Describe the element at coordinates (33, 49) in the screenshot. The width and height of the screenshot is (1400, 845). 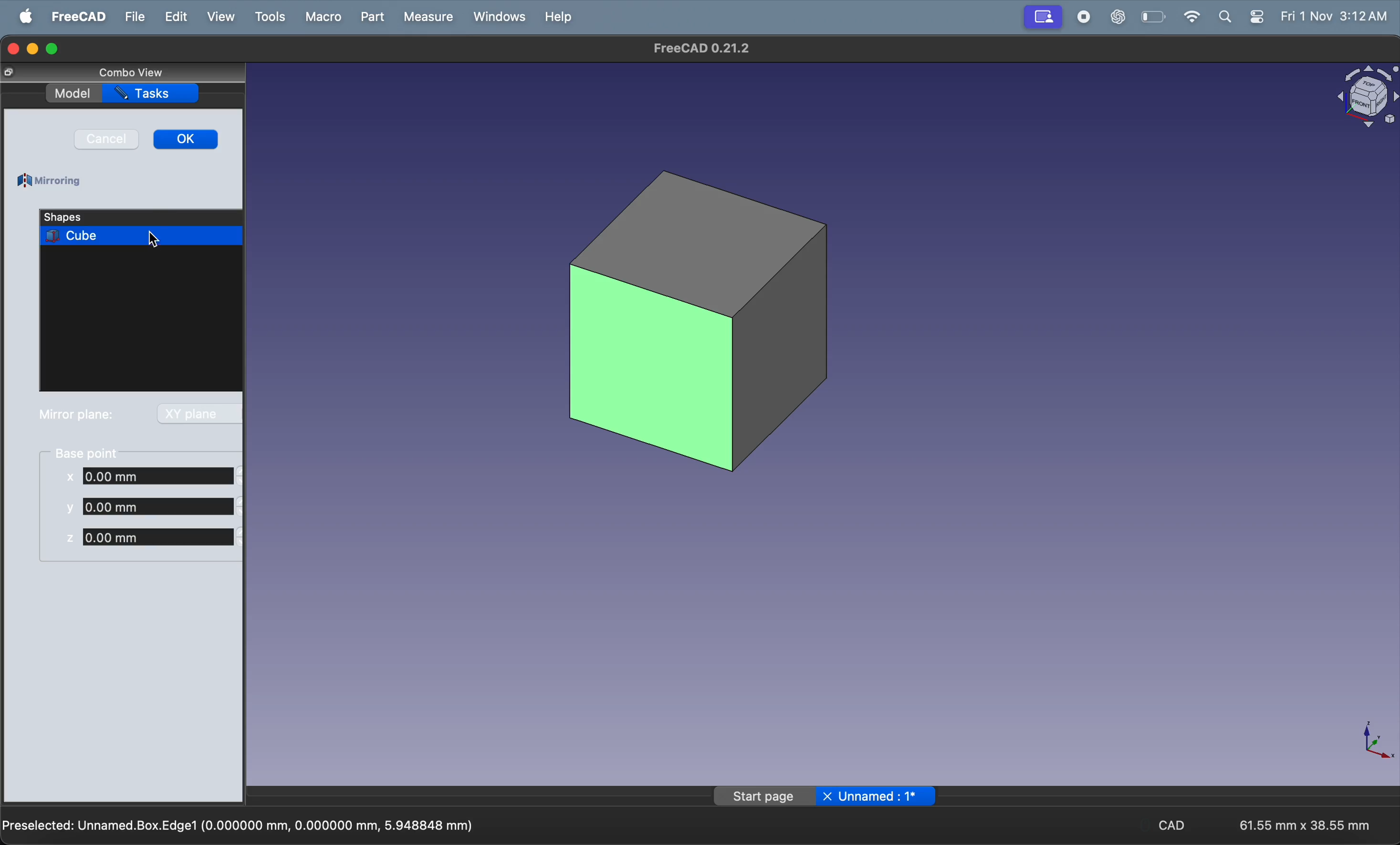
I see `minimize` at that location.